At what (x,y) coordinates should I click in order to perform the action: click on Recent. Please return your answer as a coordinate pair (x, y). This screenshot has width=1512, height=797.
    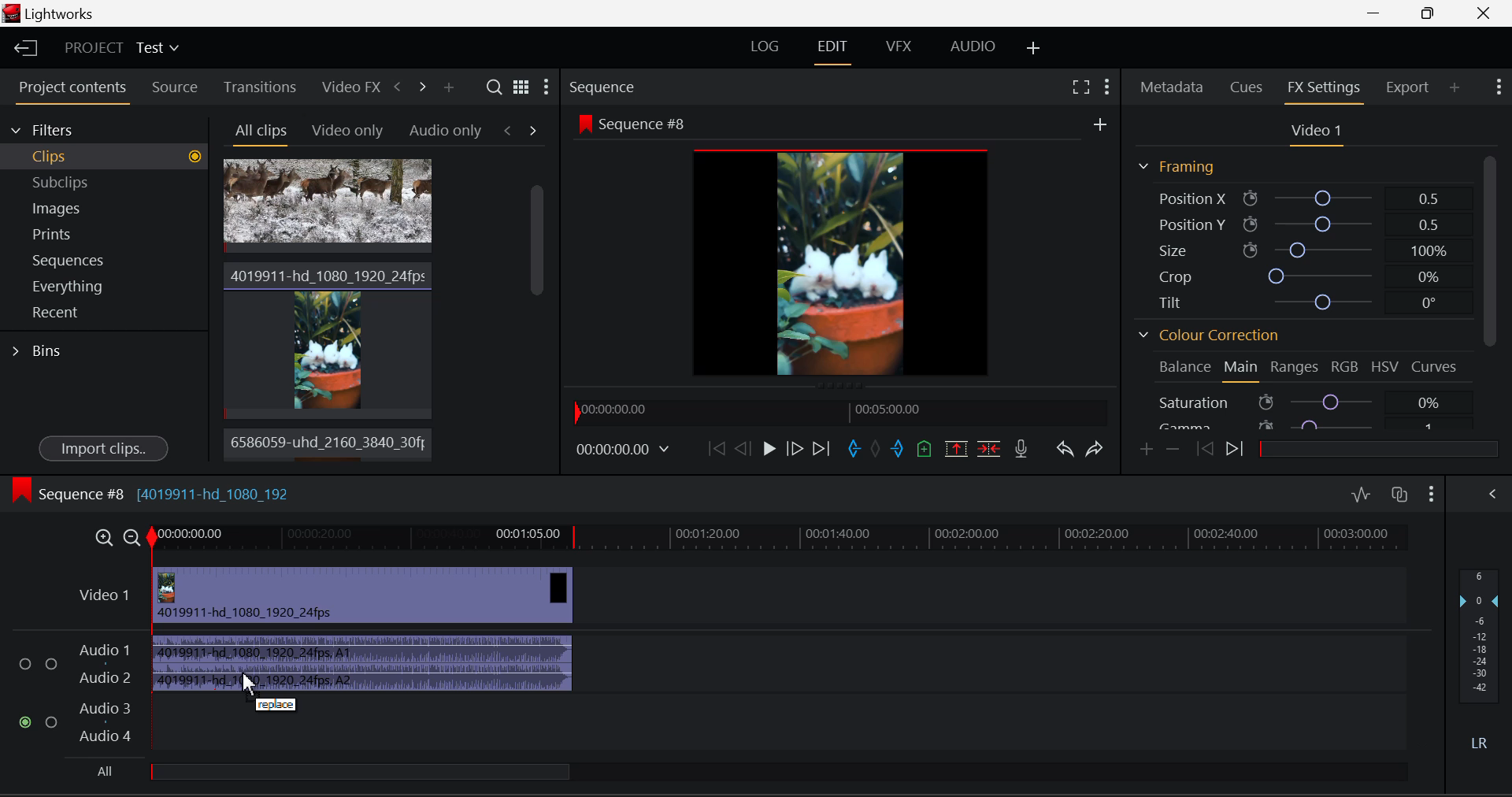
    Looking at the image, I should click on (105, 313).